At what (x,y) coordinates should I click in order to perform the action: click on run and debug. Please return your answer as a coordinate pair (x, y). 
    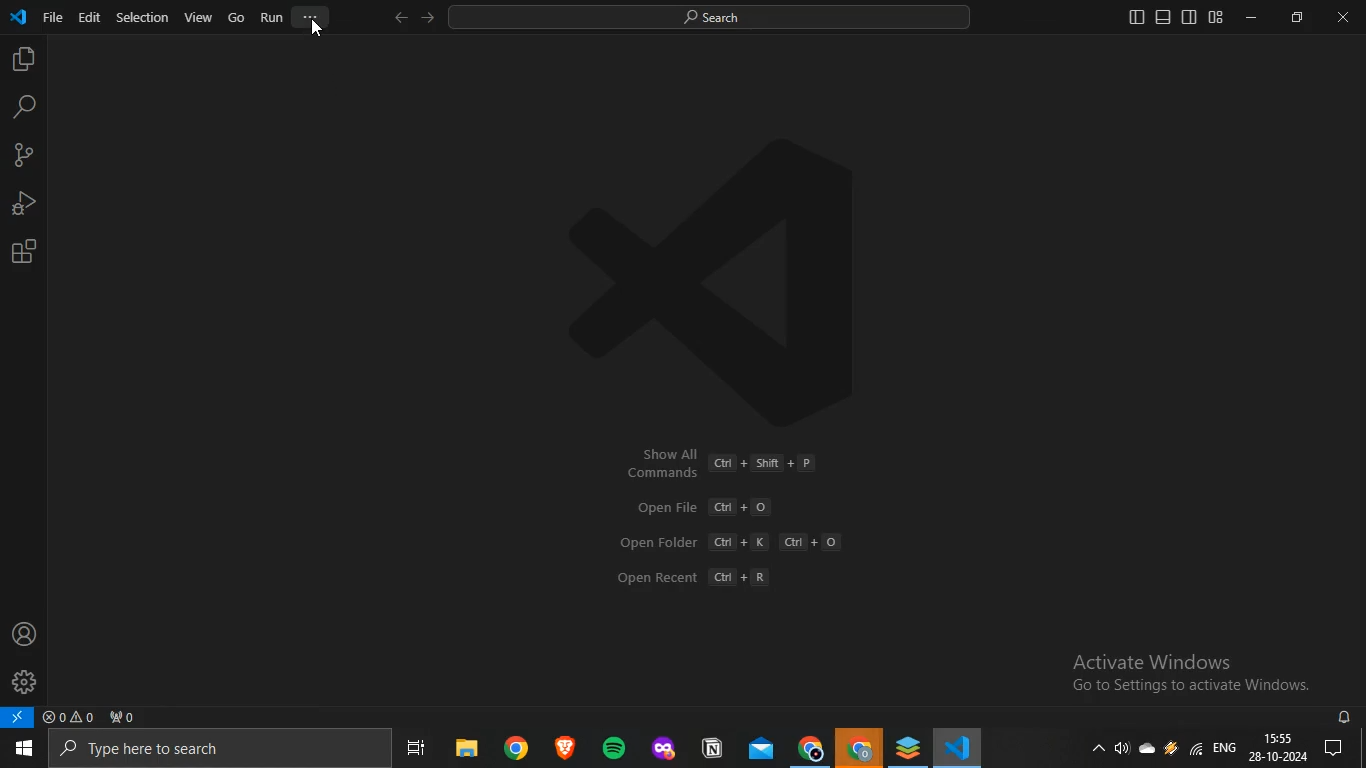
    Looking at the image, I should click on (22, 202).